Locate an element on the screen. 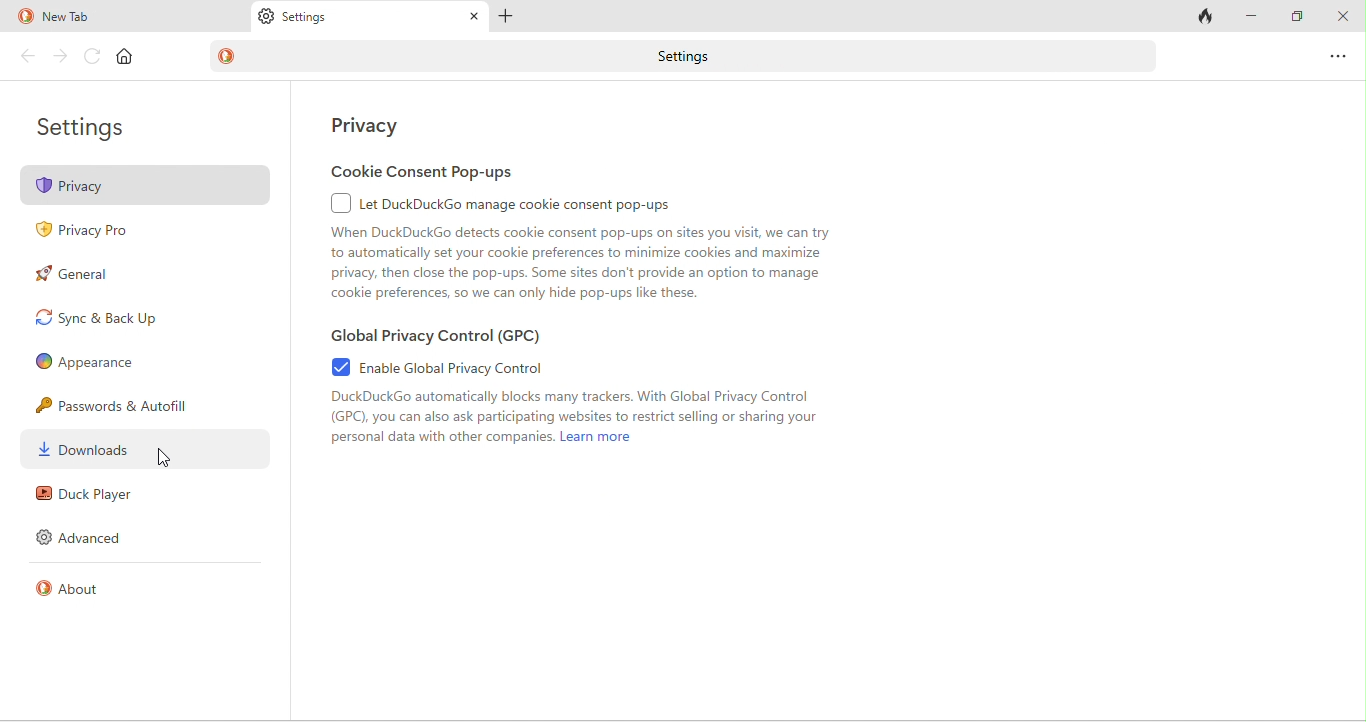 The image size is (1366, 722). settings is located at coordinates (102, 131).